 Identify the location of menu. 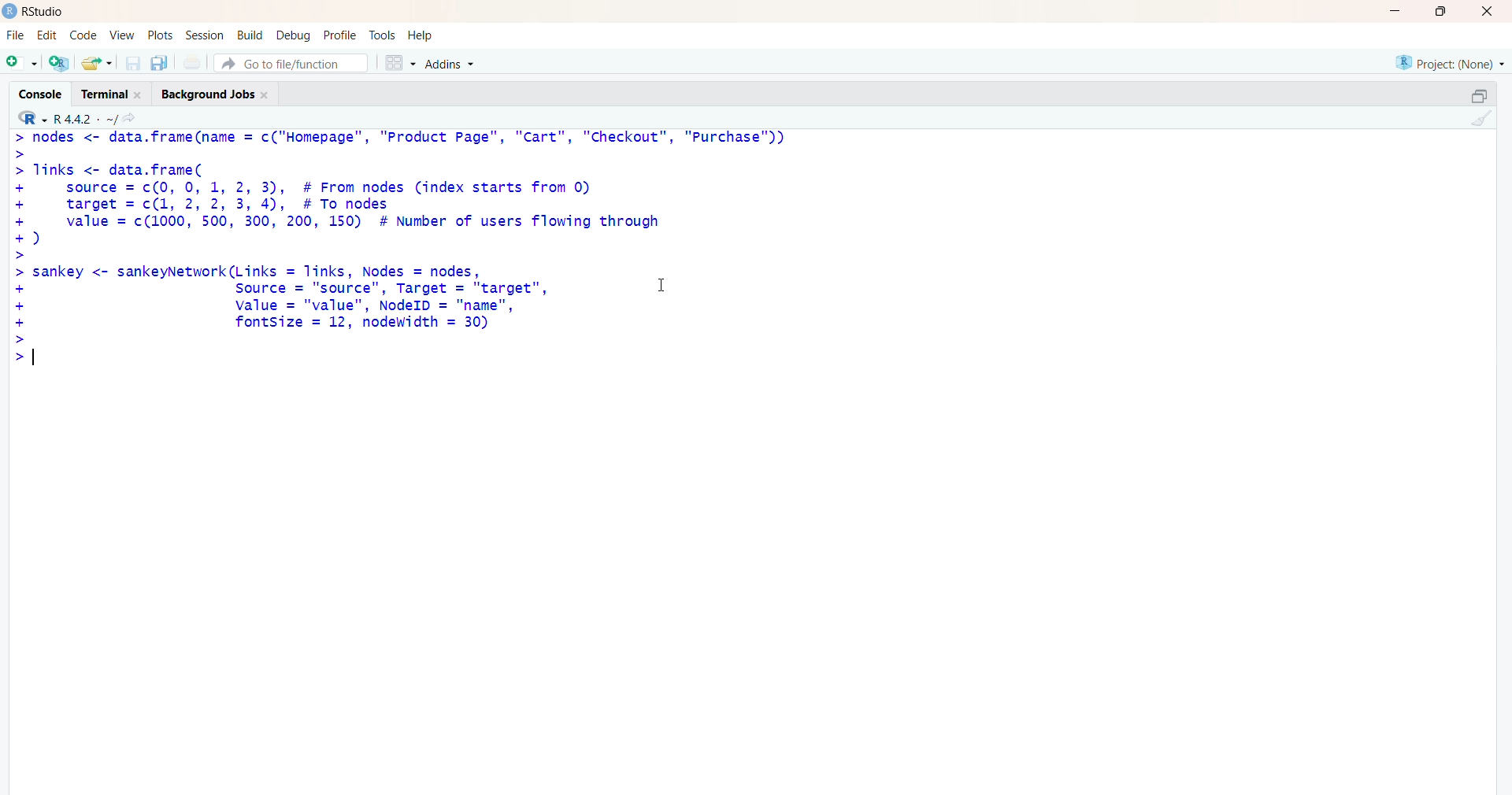
(20, 64).